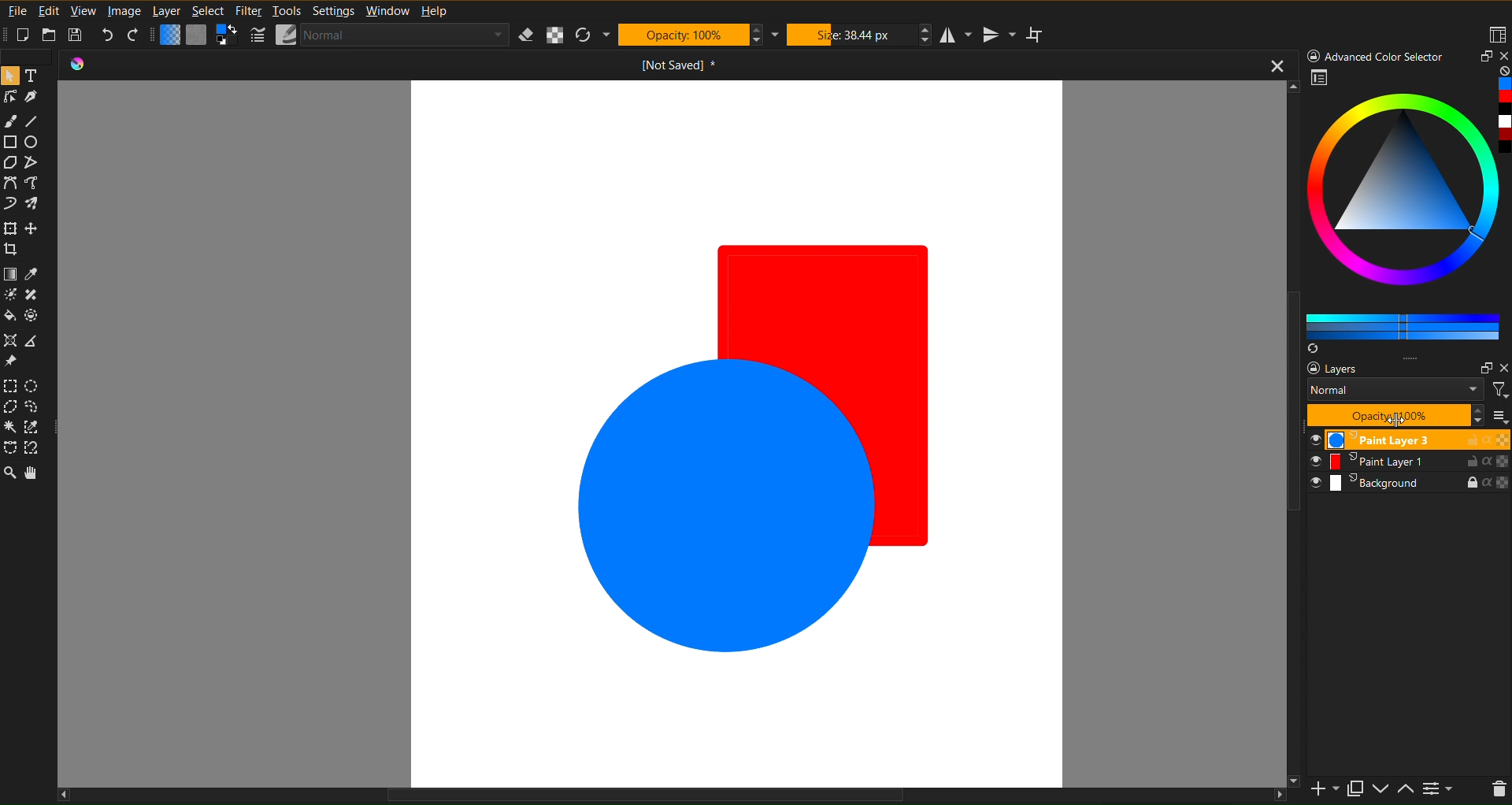 The width and height of the screenshot is (1512, 805). What do you see at coordinates (36, 145) in the screenshot?
I see `Circle` at bounding box center [36, 145].